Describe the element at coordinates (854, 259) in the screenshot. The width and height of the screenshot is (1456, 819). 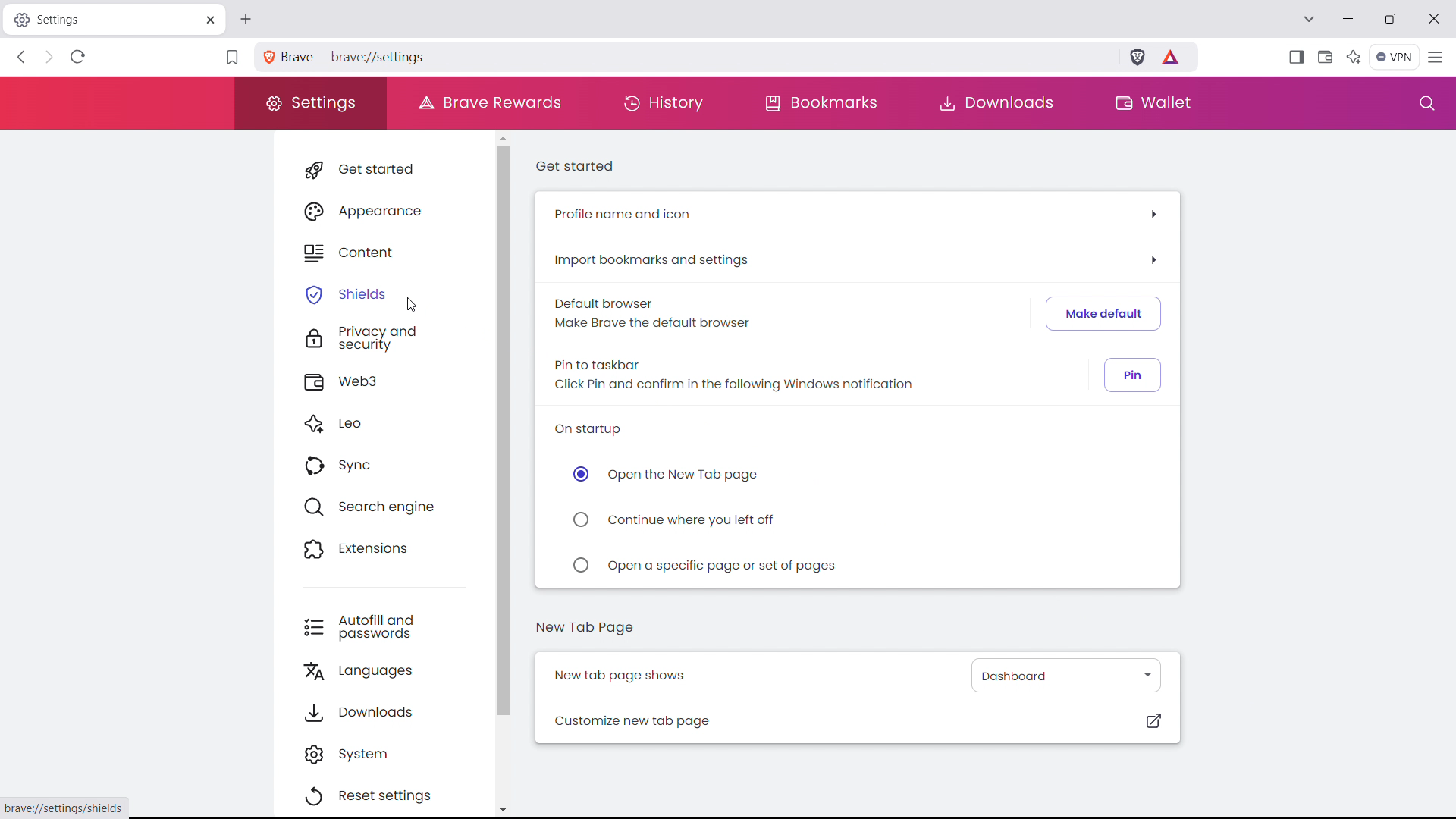
I see `import bookmarks and settings` at that location.